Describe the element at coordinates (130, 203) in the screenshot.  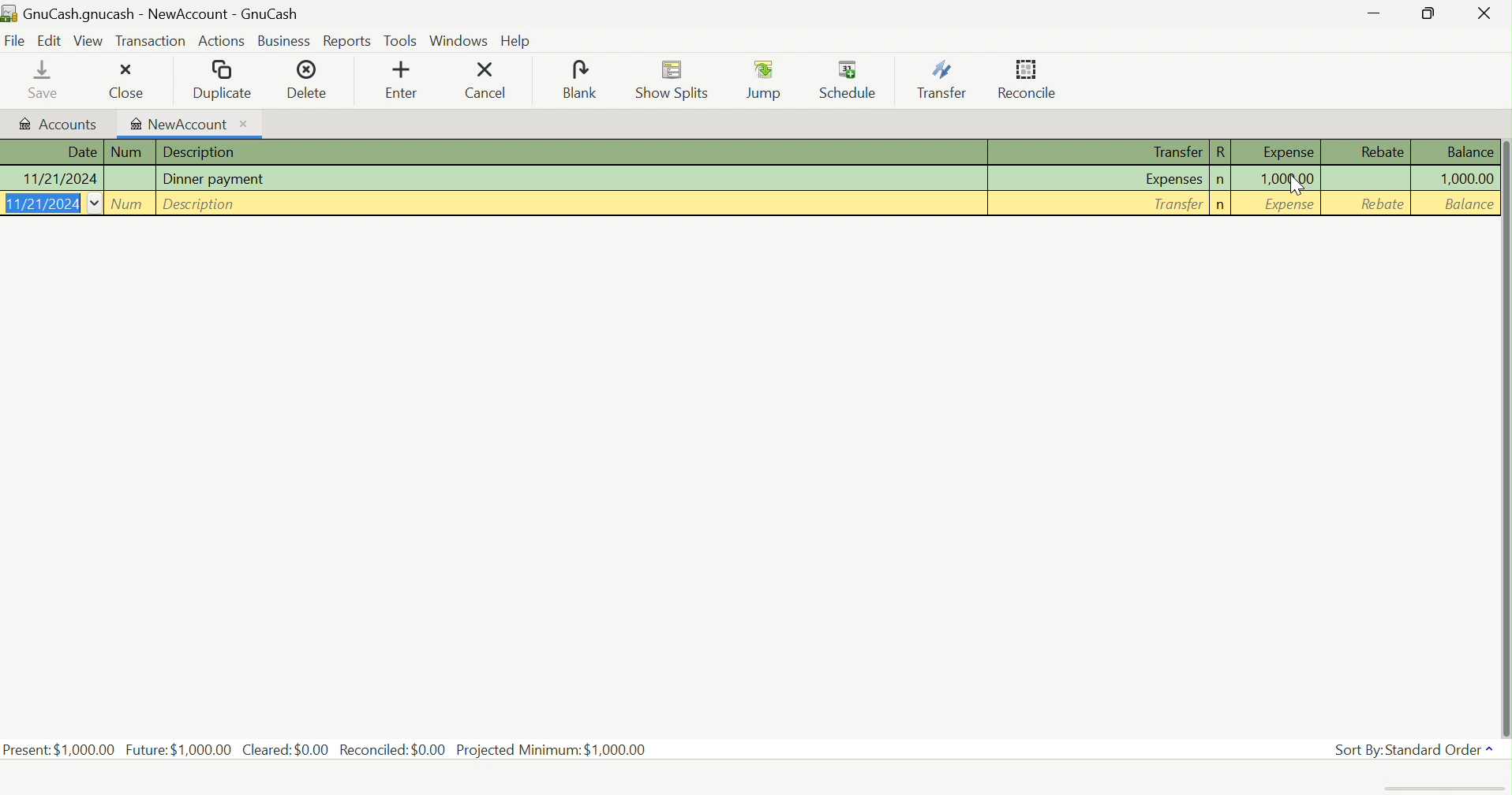
I see `Num` at that location.